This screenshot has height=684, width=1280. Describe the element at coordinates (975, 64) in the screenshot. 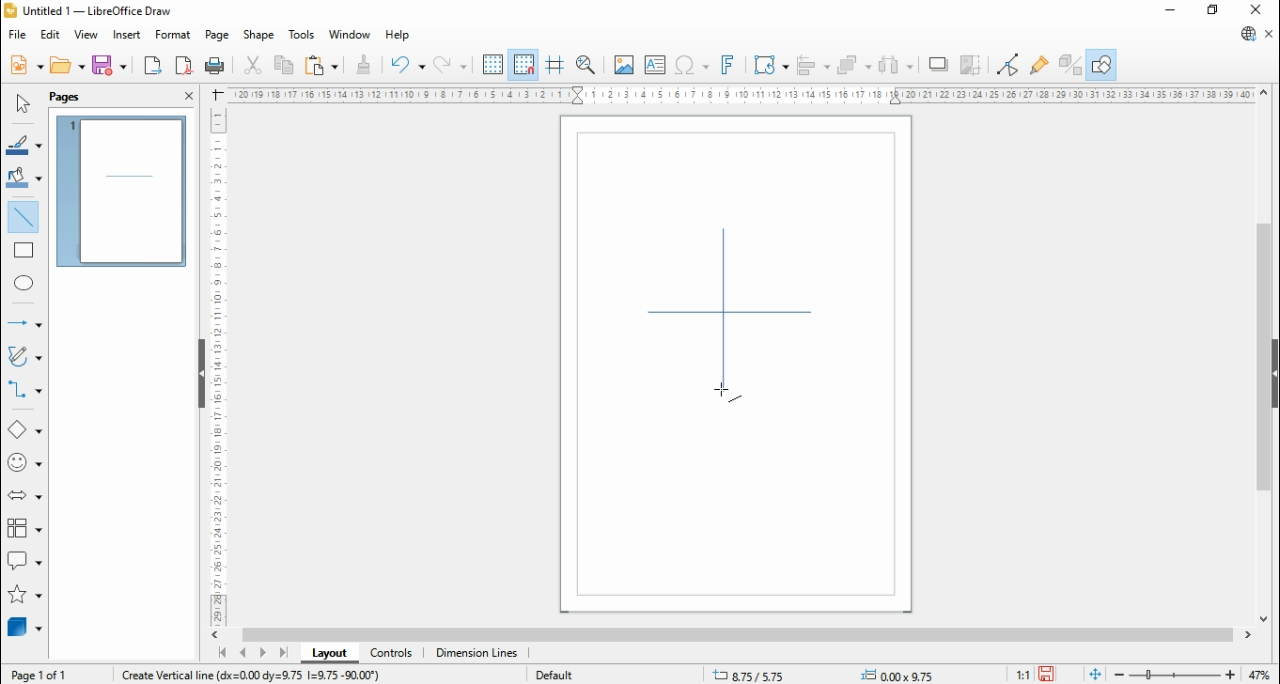

I see `crop` at that location.